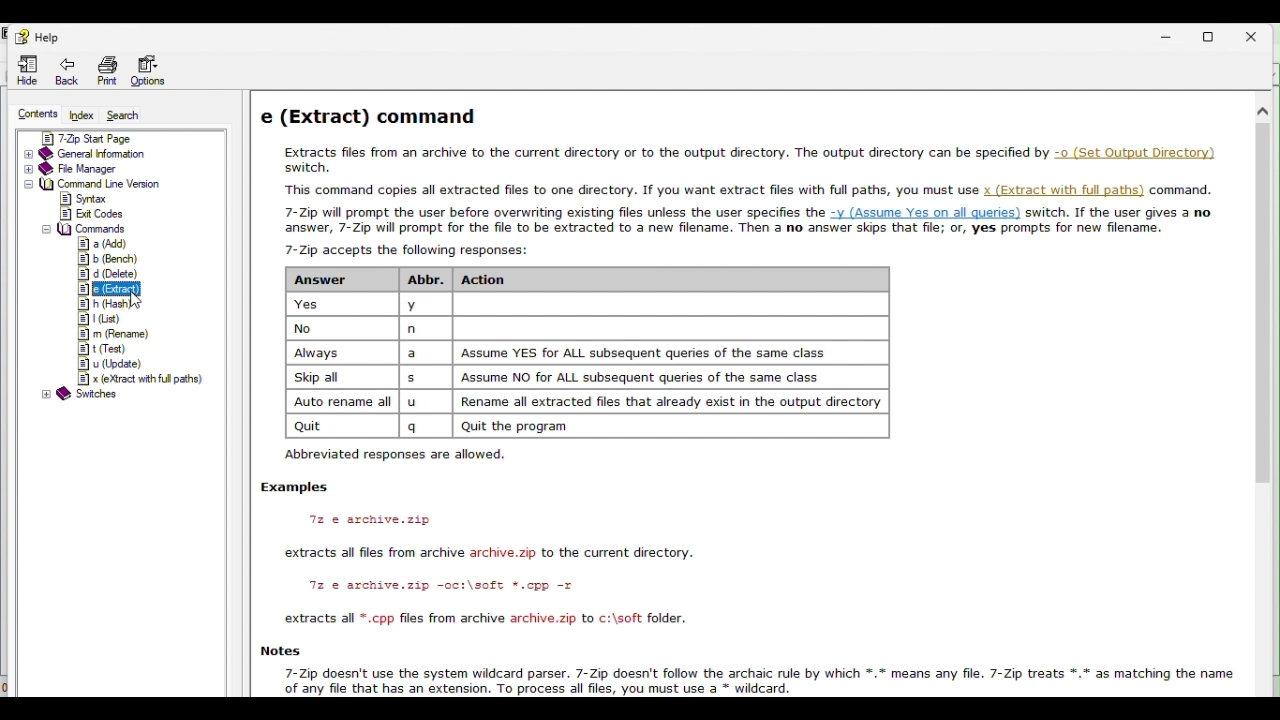  Describe the element at coordinates (1171, 32) in the screenshot. I see `Minimize` at that location.